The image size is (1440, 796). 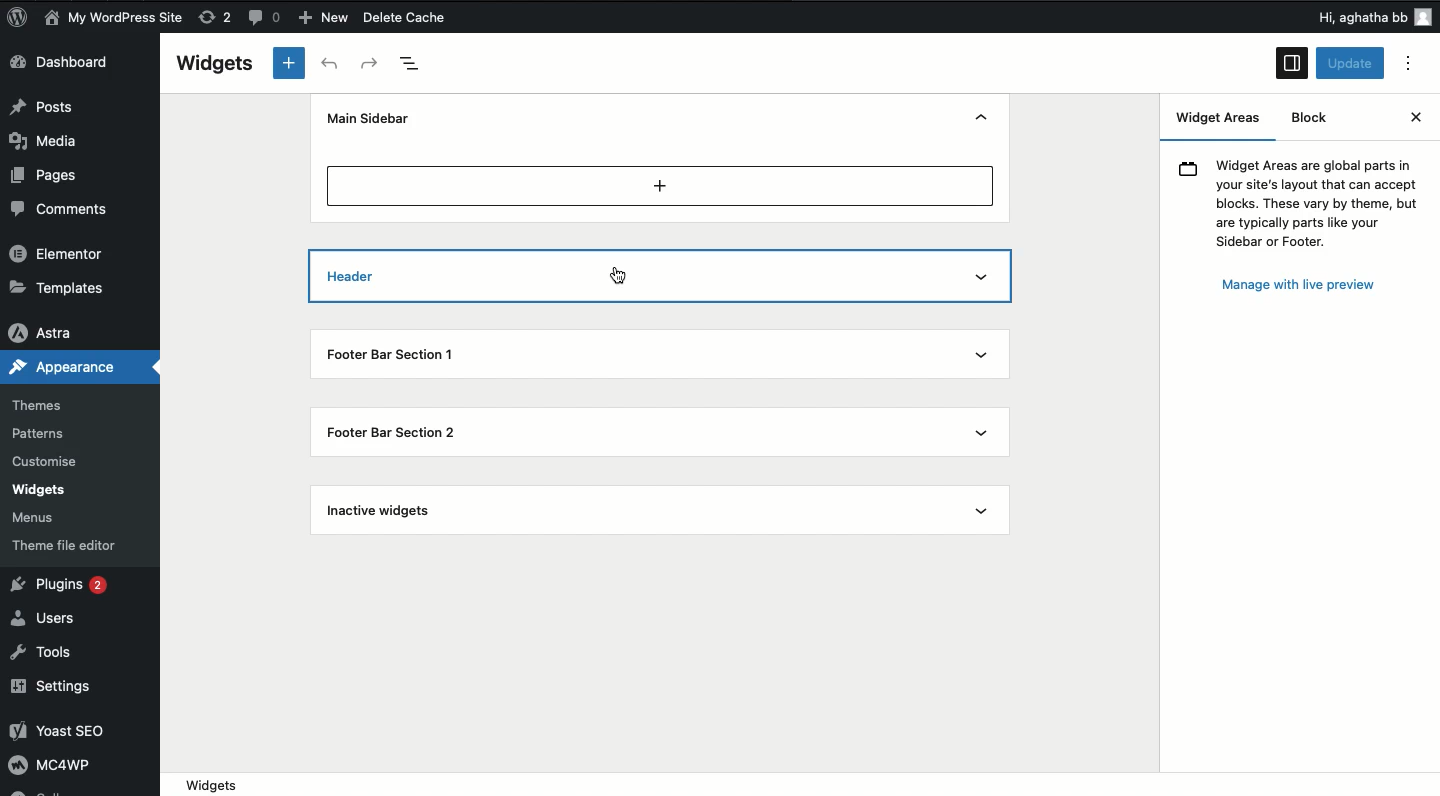 What do you see at coordinates (1414, 64) in the screenshot?
I see `Options` at bounding box center [1414, 64].